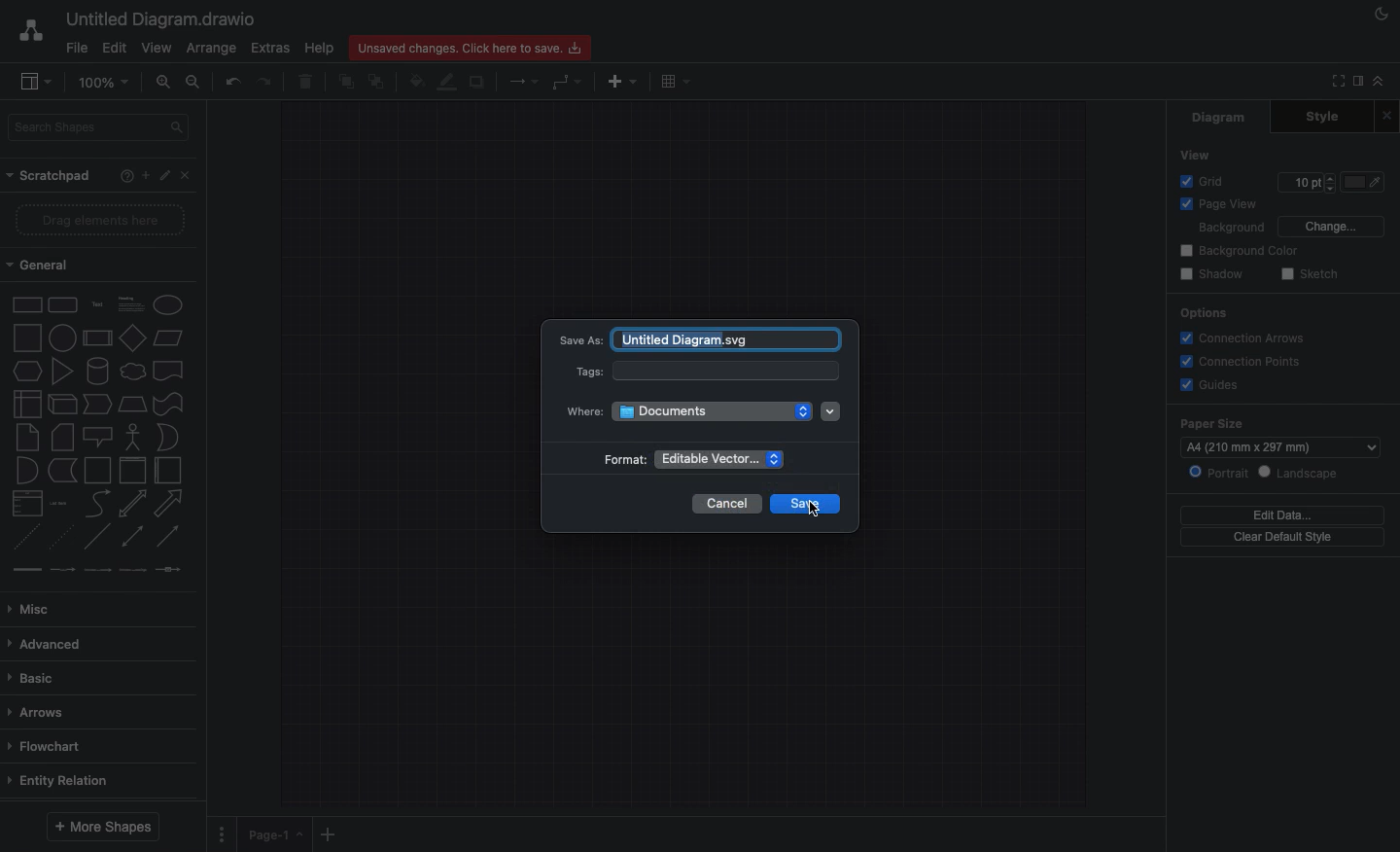  What do you see at coordinates (1197, 154) in the screenshot?
I see `View` at bounding box center [1197, 154].